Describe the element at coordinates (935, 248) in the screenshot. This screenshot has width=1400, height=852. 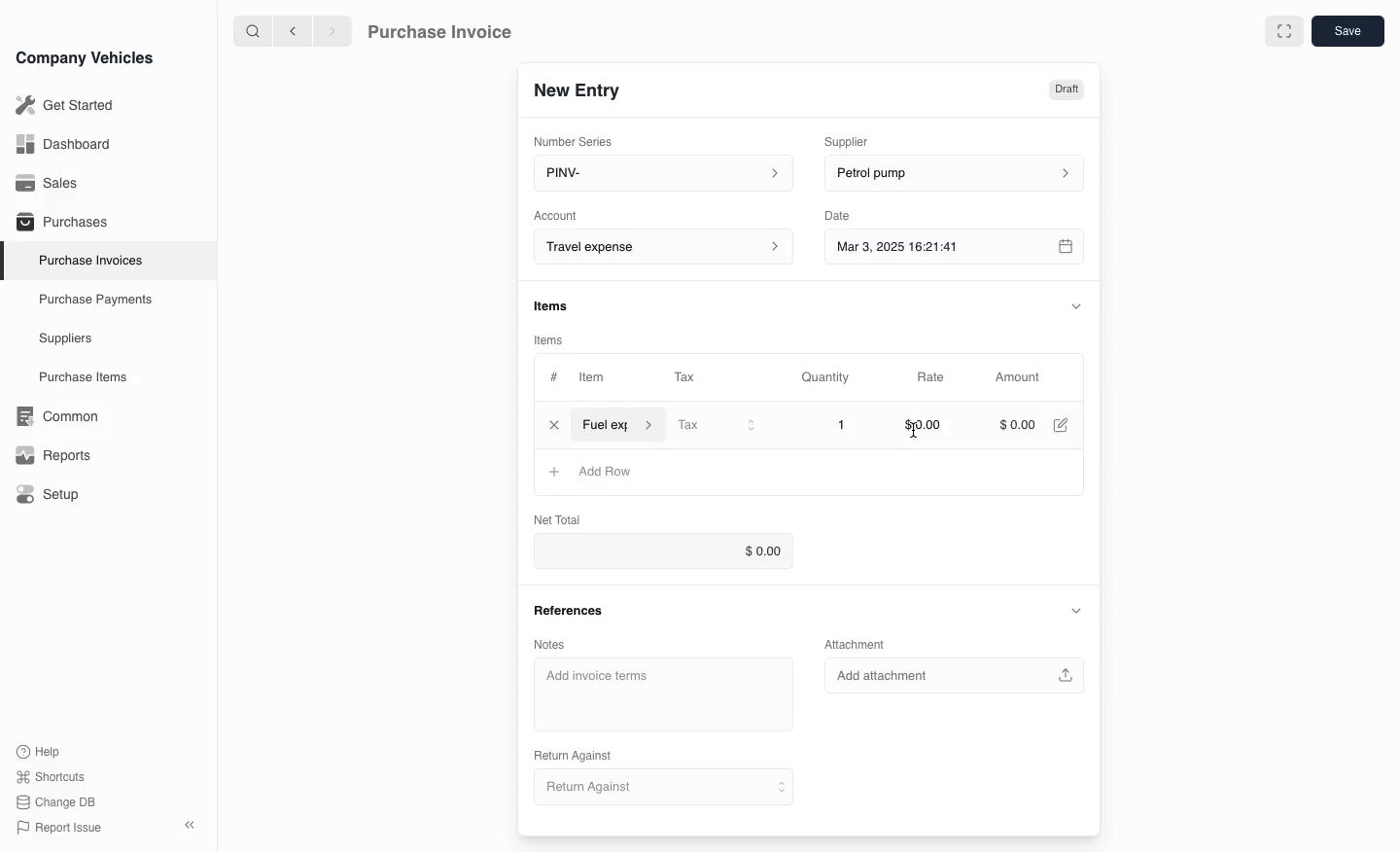
I see `Mar 3, 2025 16:21:41` at that location.